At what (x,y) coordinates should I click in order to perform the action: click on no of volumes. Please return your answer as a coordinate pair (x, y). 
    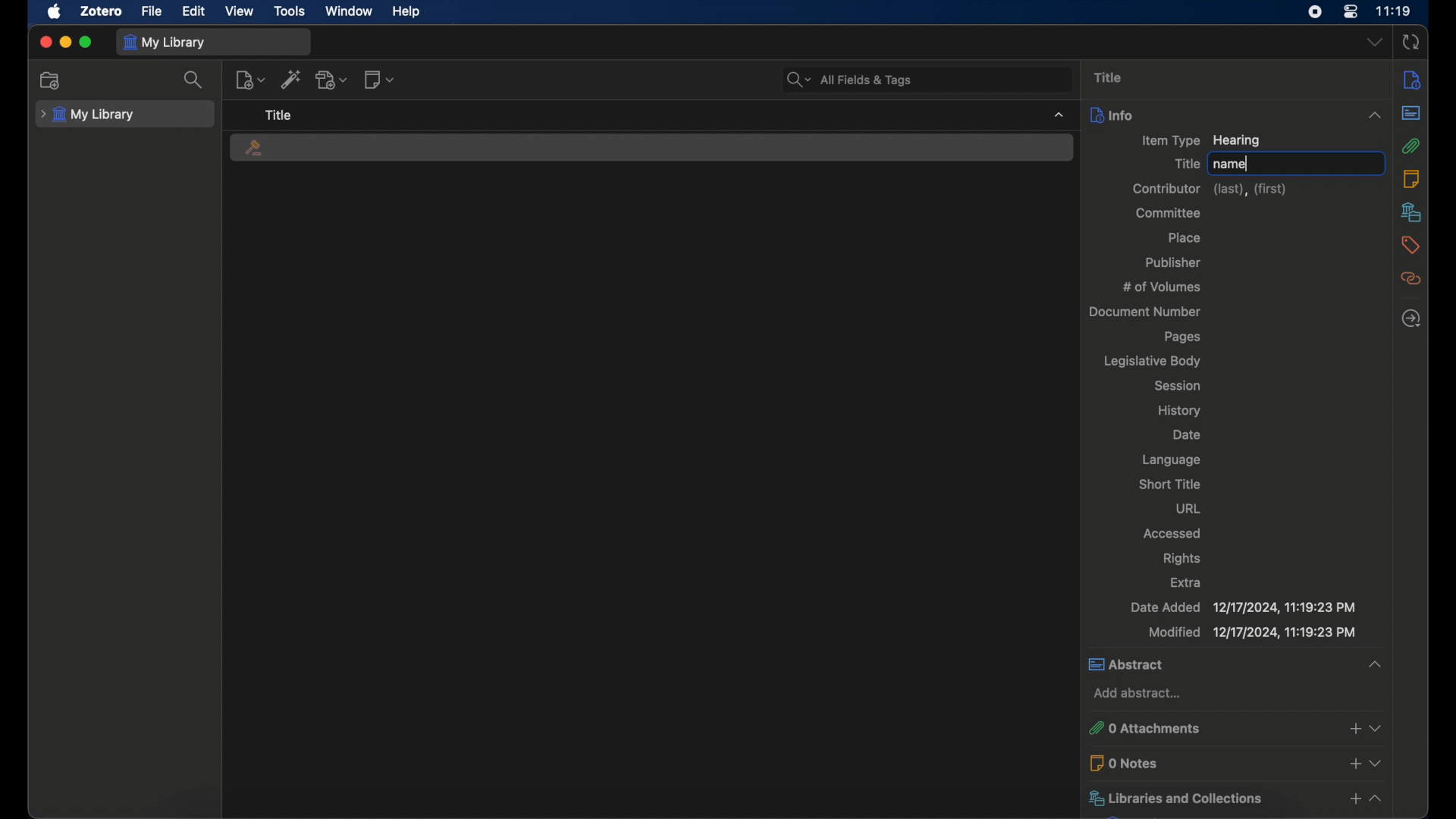
    Looking at the image, I should click on (1162, 287).